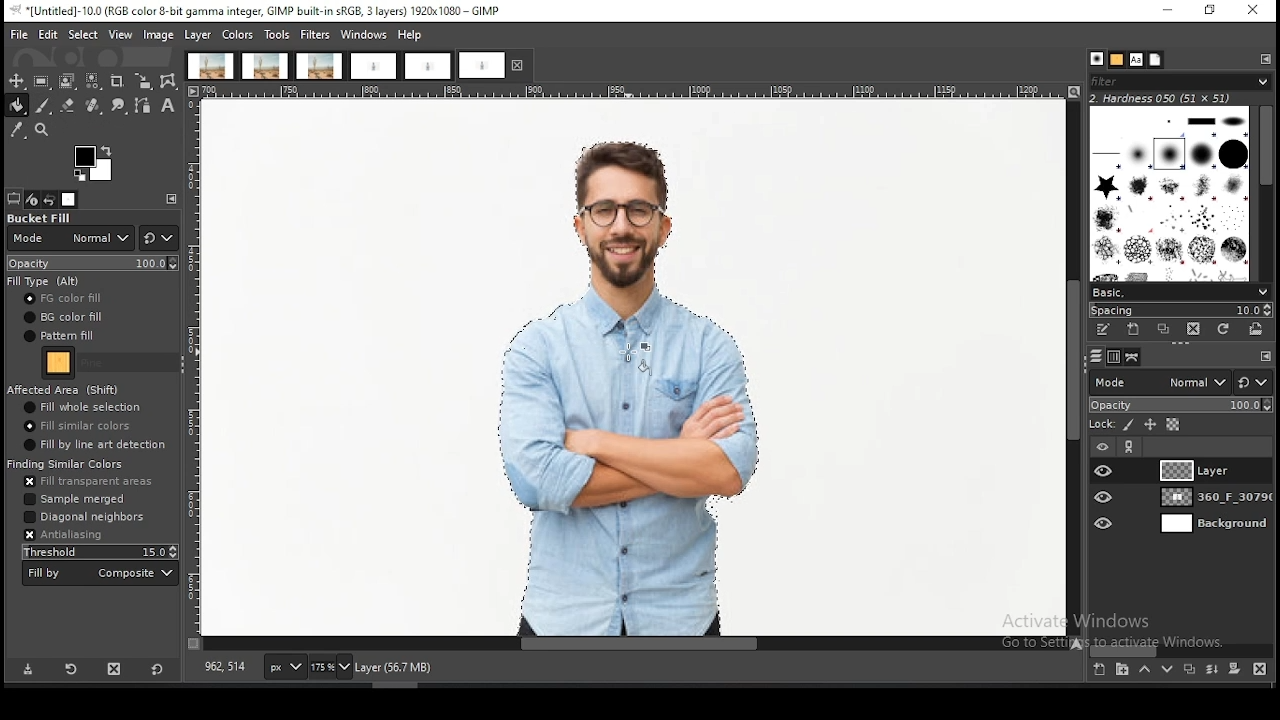 The width and height of the screenshot is (1280, 720). I want to click on crop tool, so click(117, 83).